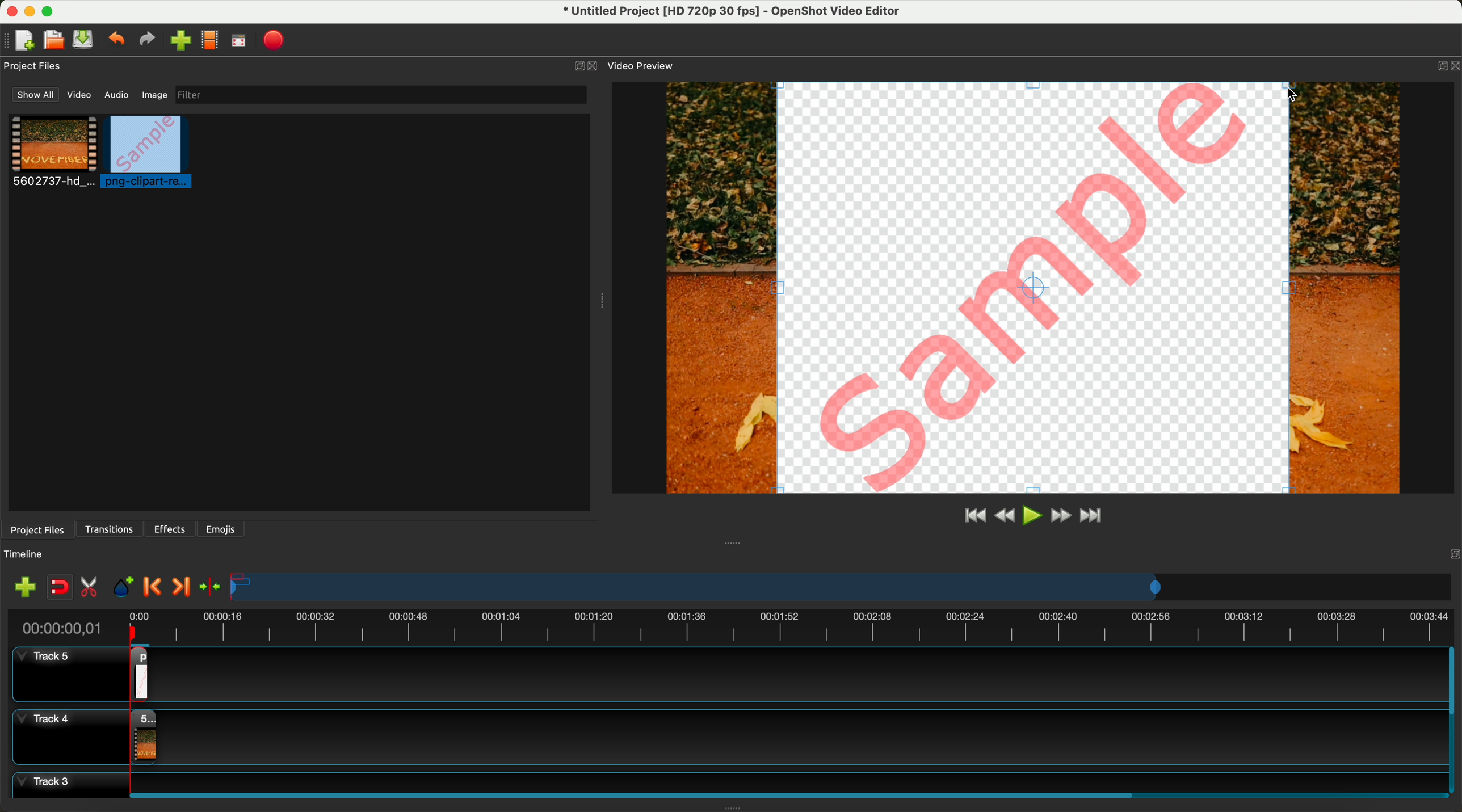 This screenshot has width=1462, height=812. What do you see at coordinates (1031, 287) in the screenshot?
I see `pREVIEW` at bounding box center [1031, 287].